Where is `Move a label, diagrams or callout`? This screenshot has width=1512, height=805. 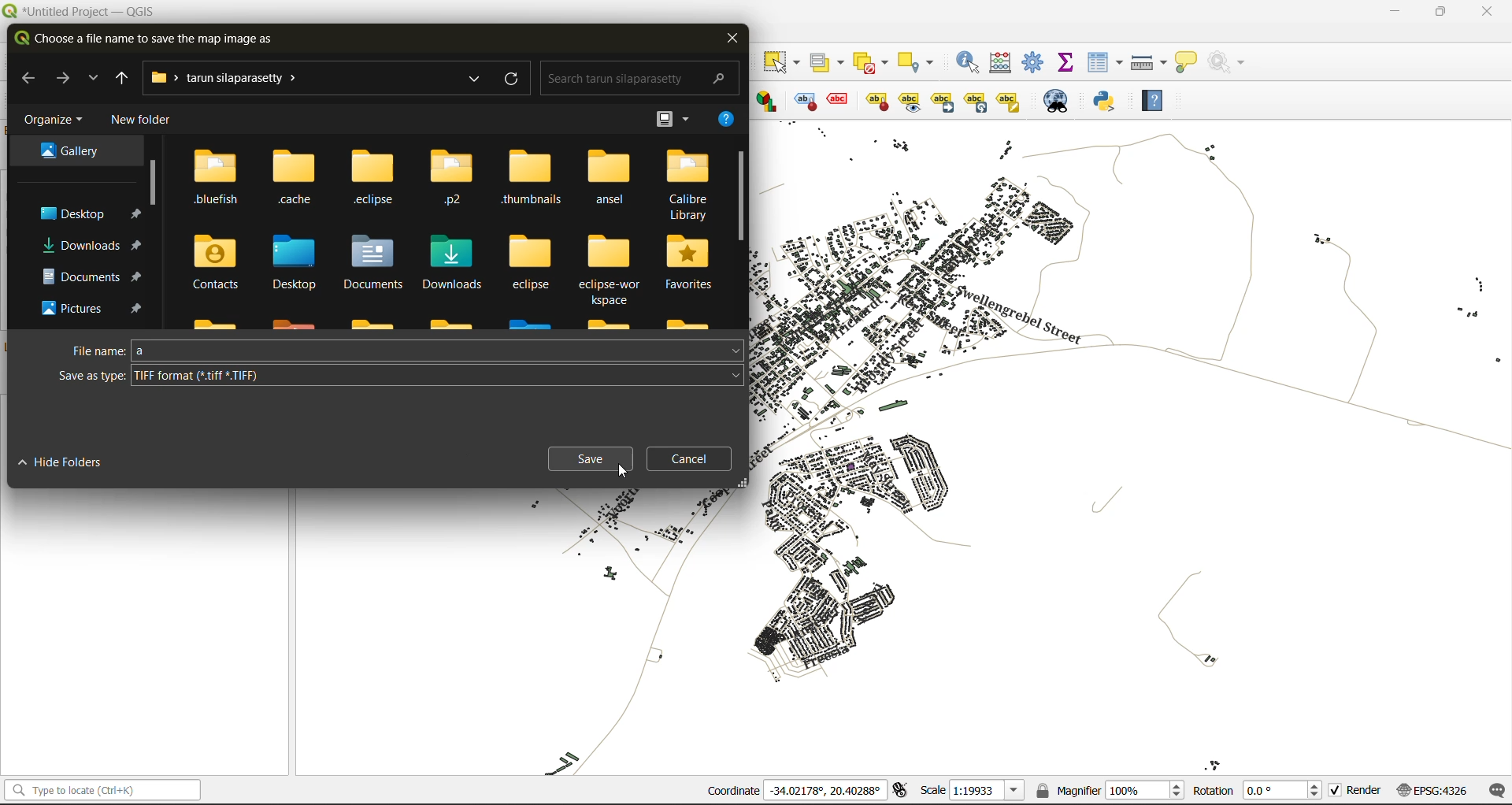 Move a label, diagrams or callout is located at coordinates (943, 101).